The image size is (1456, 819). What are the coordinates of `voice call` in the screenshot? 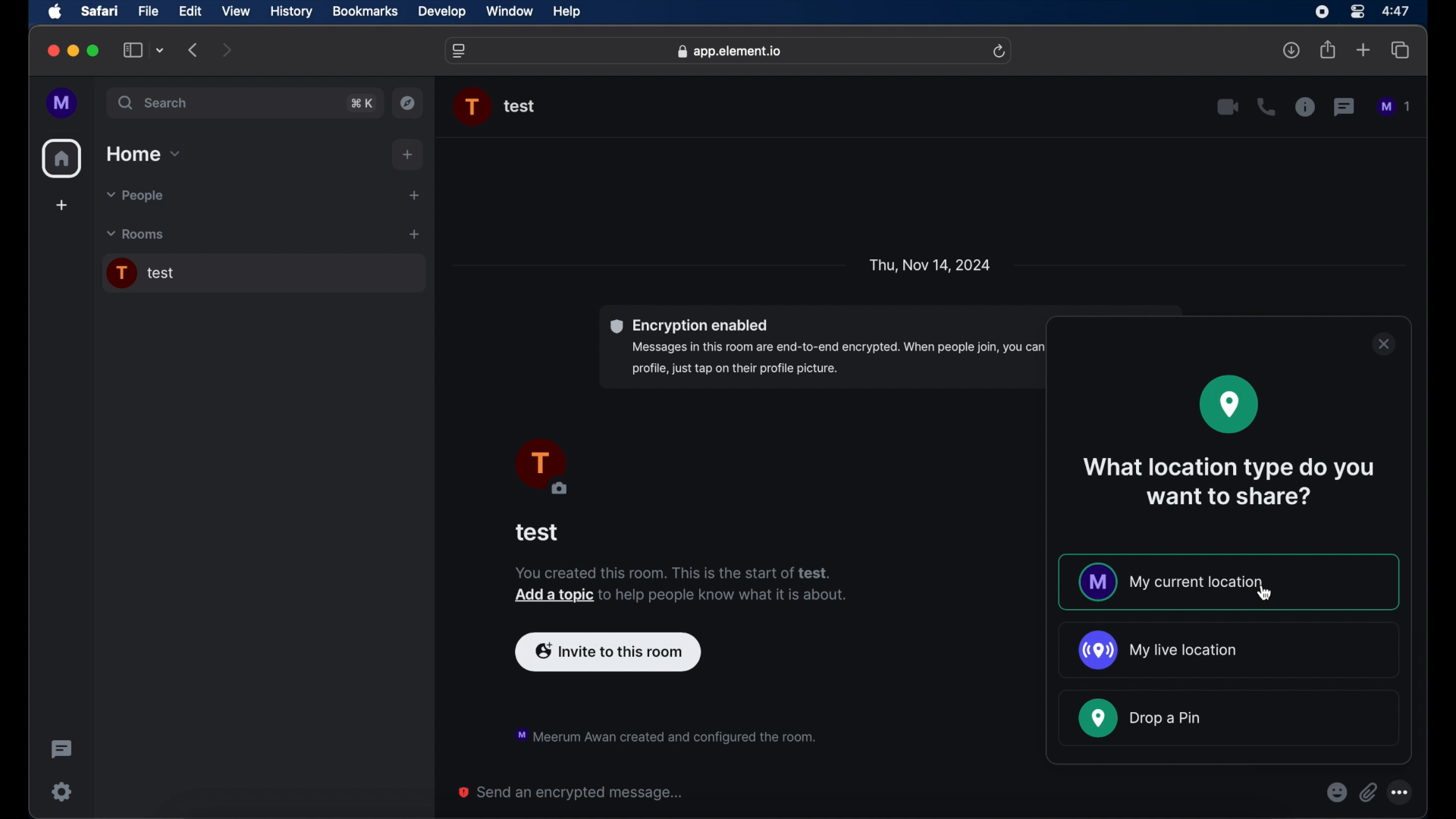 It's located at (1266, 107).